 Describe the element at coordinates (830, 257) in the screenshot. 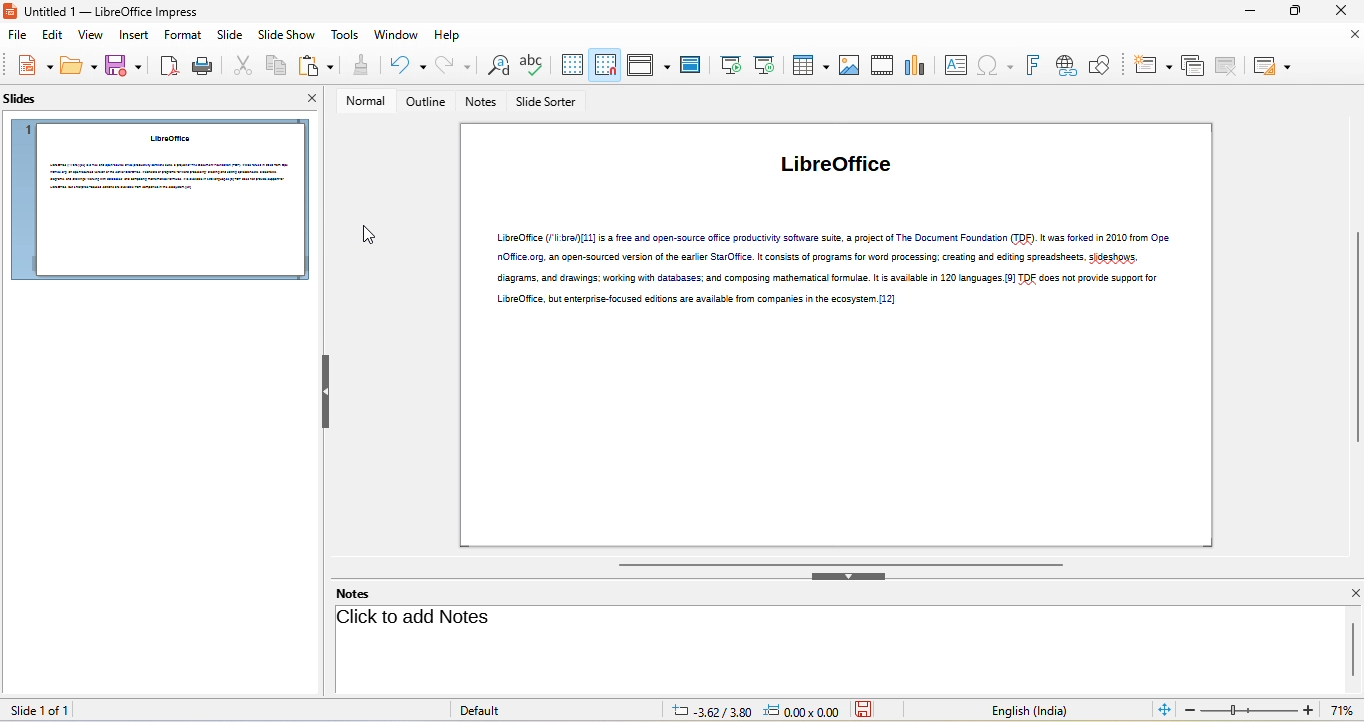

I see `i | nOffice.org, an open-sourced version of the earker StarOffice. It consists of programs for word processing: creating and editing spreadsheets. sideshows.` at that location.